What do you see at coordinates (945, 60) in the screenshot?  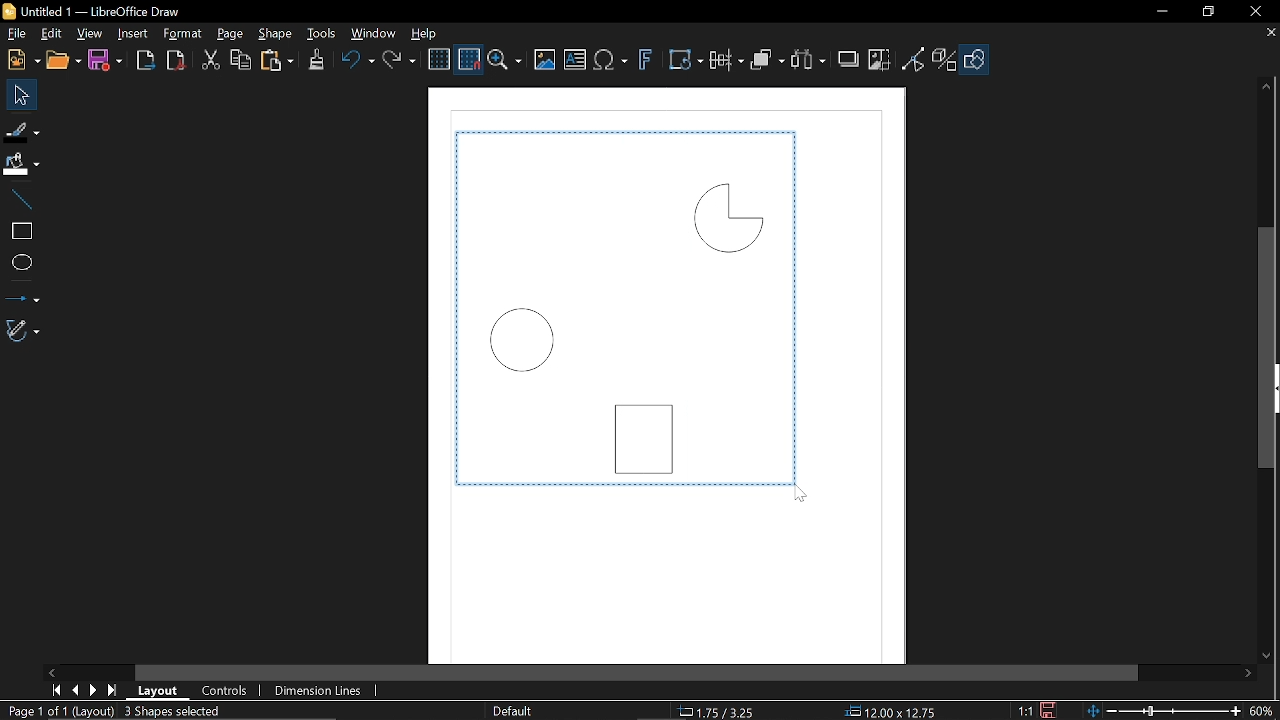 I see `Toggle extrusion` at bounding box center [945, 60].